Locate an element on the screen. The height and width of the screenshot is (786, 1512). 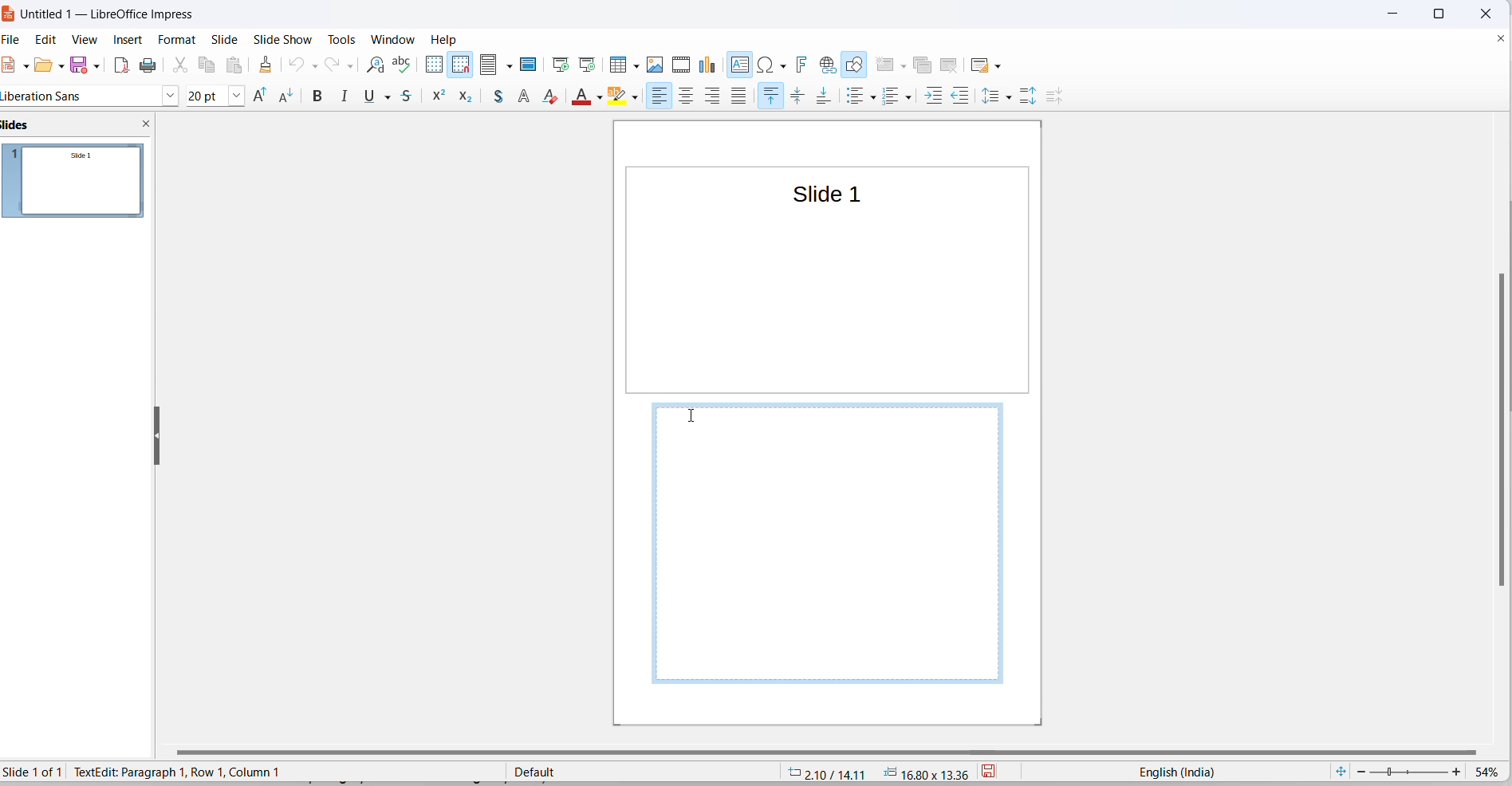
file is located at coordinates (16, 41).